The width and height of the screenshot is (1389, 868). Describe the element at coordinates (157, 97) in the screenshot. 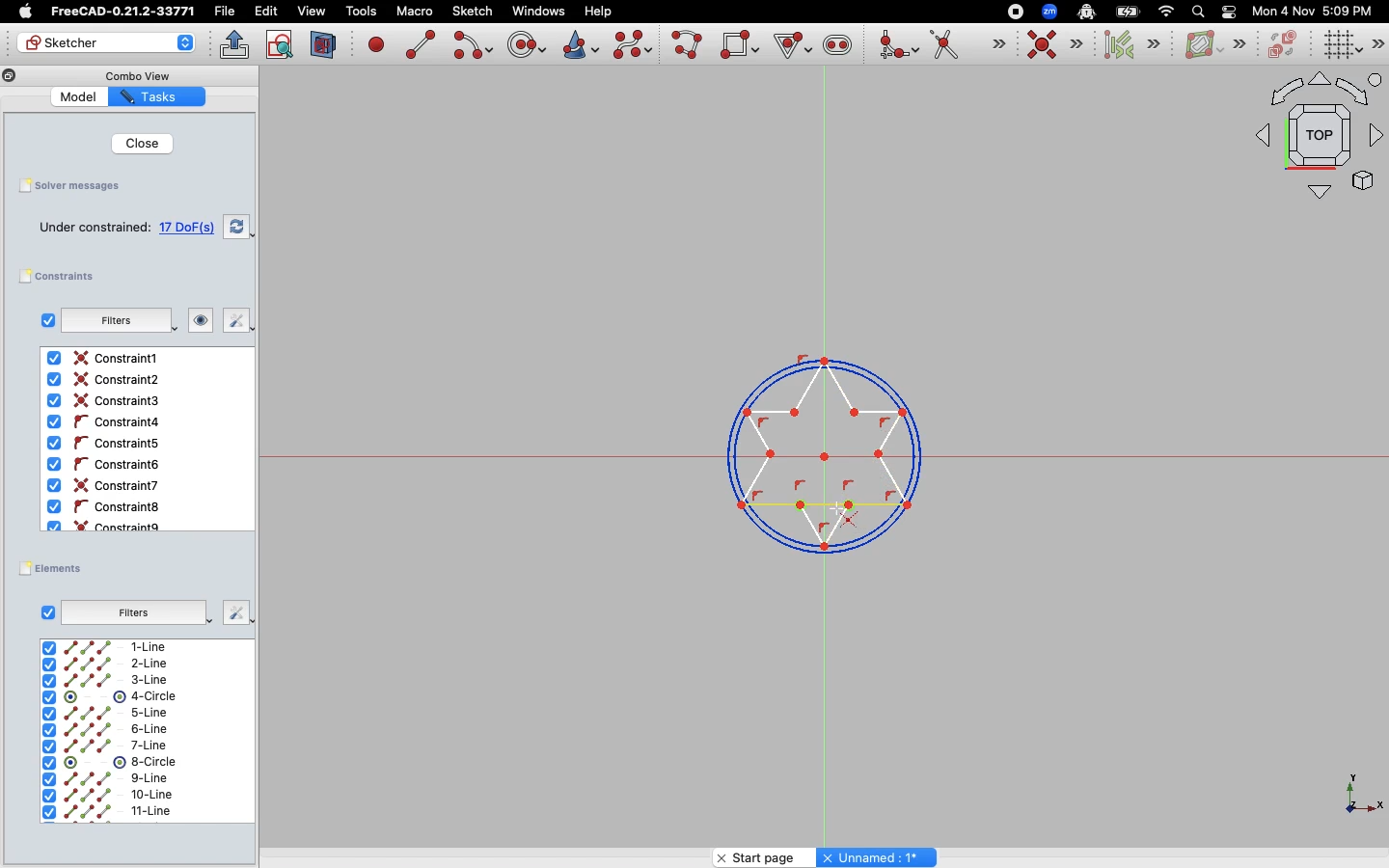

I see `Tasks` at that location.